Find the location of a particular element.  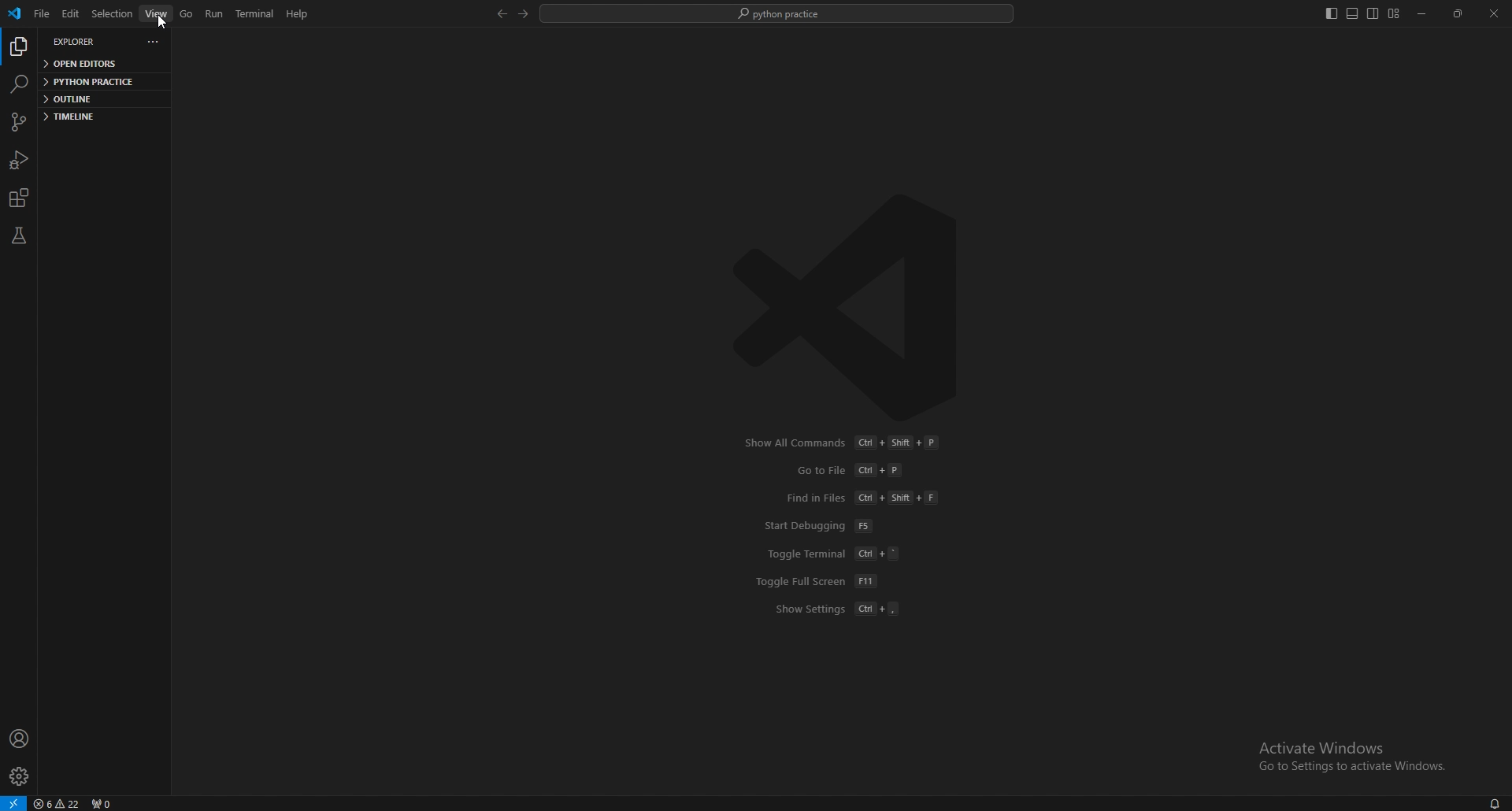

timeline is located at coordinates (94, 117).